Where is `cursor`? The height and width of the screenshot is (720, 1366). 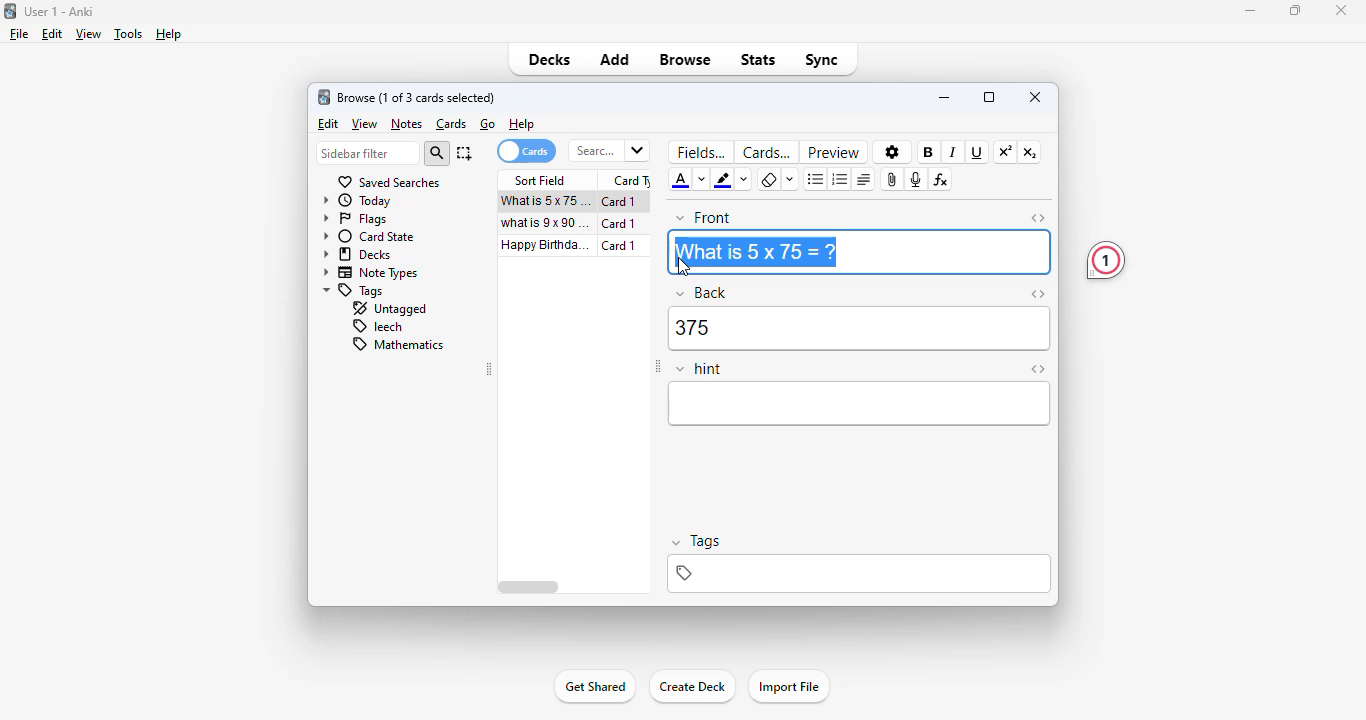 cursor is located at coordinates (685, 267).